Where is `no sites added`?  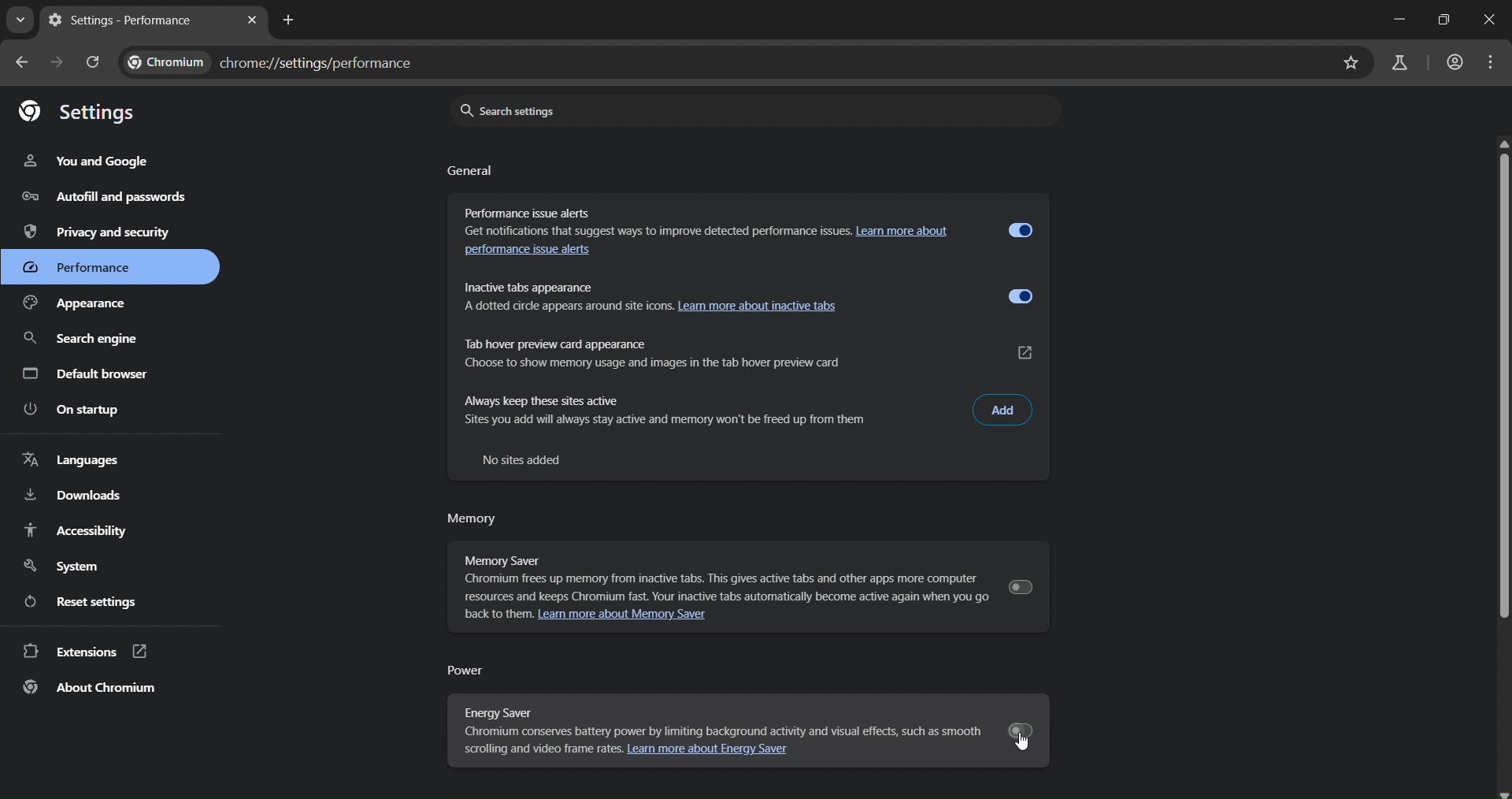
no sites added is located at coordinates (528, 459).